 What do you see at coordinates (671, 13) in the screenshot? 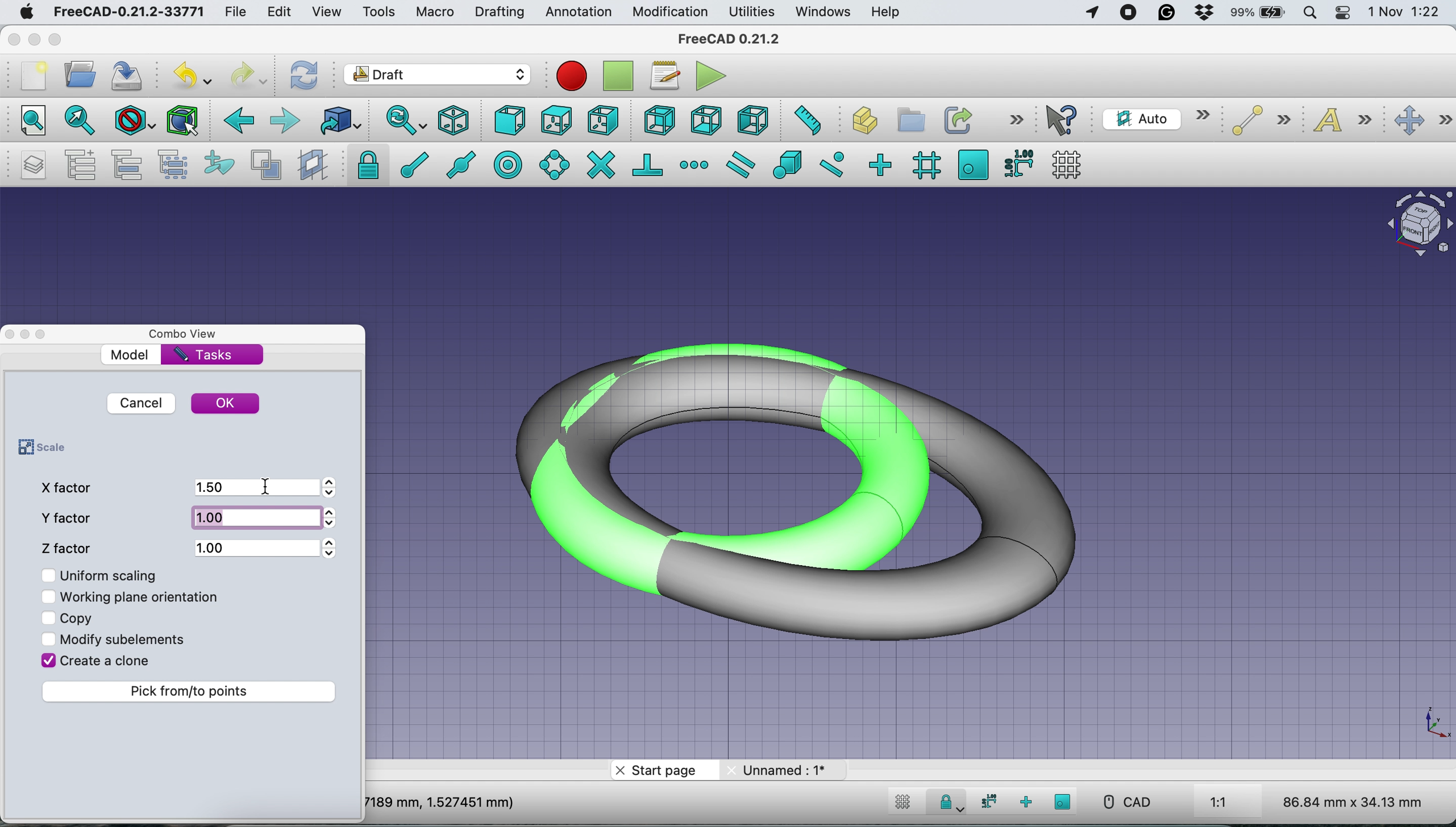
I see `modification` at bounding box center [671, 13].